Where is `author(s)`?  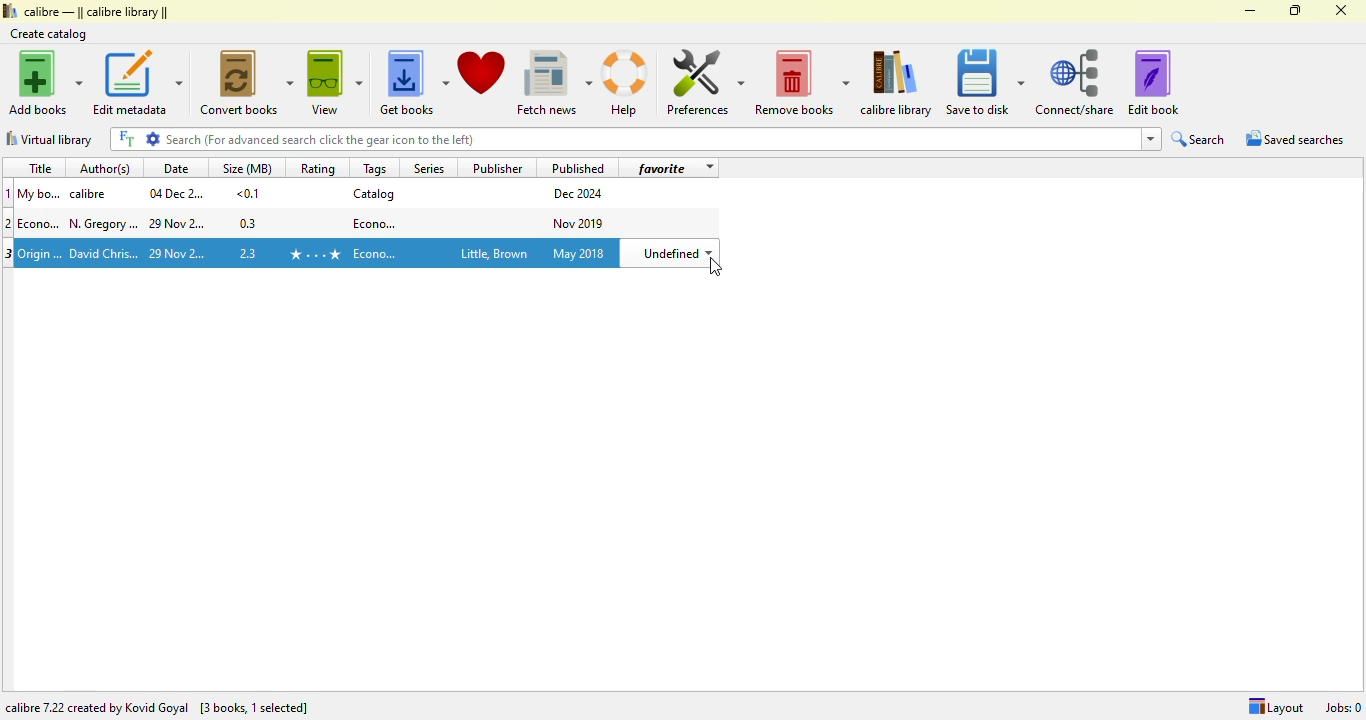
author(s) is located at coordinates (108, 167).